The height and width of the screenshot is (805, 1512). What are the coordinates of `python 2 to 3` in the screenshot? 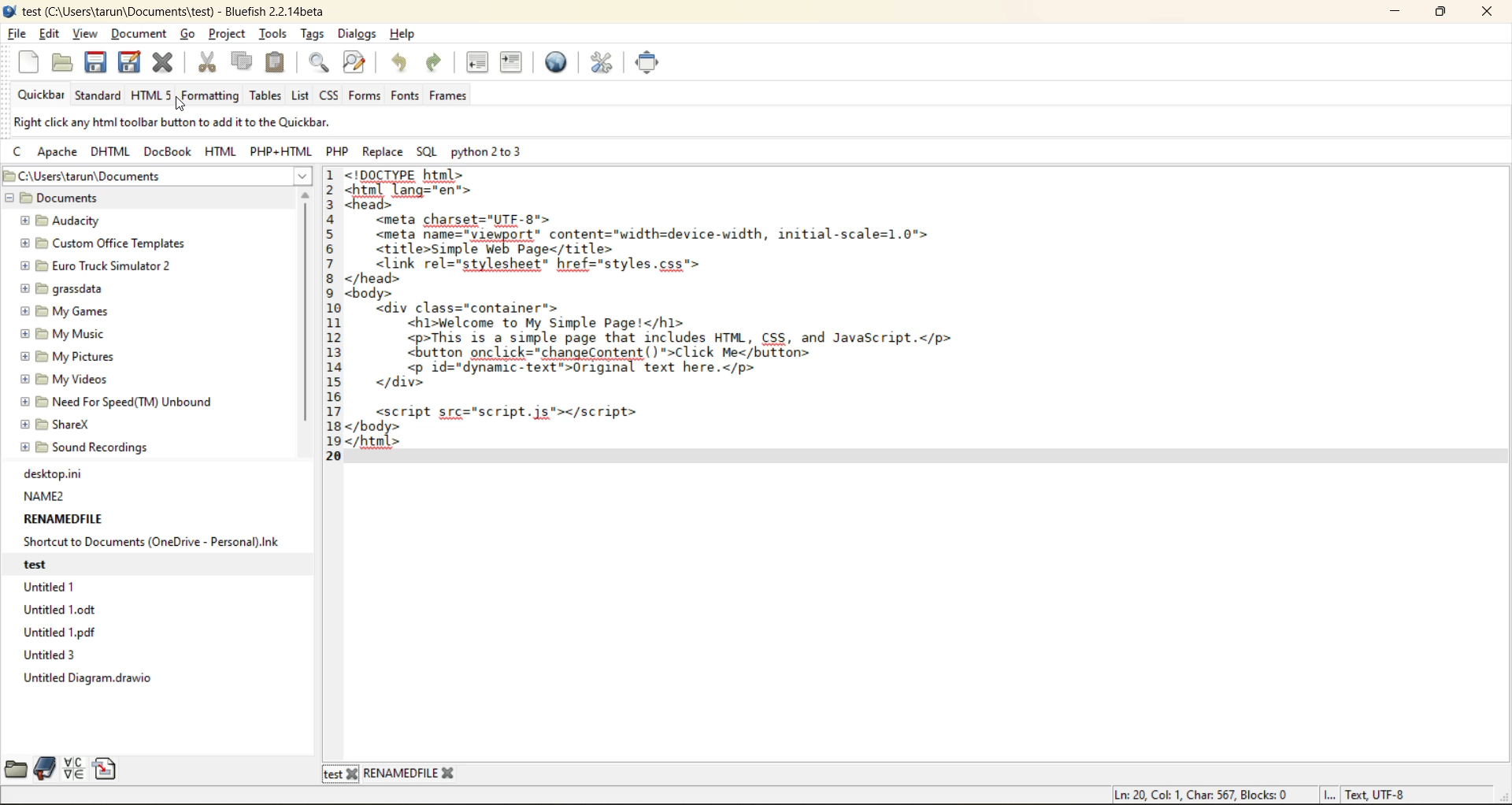 It's located at (494, 150).